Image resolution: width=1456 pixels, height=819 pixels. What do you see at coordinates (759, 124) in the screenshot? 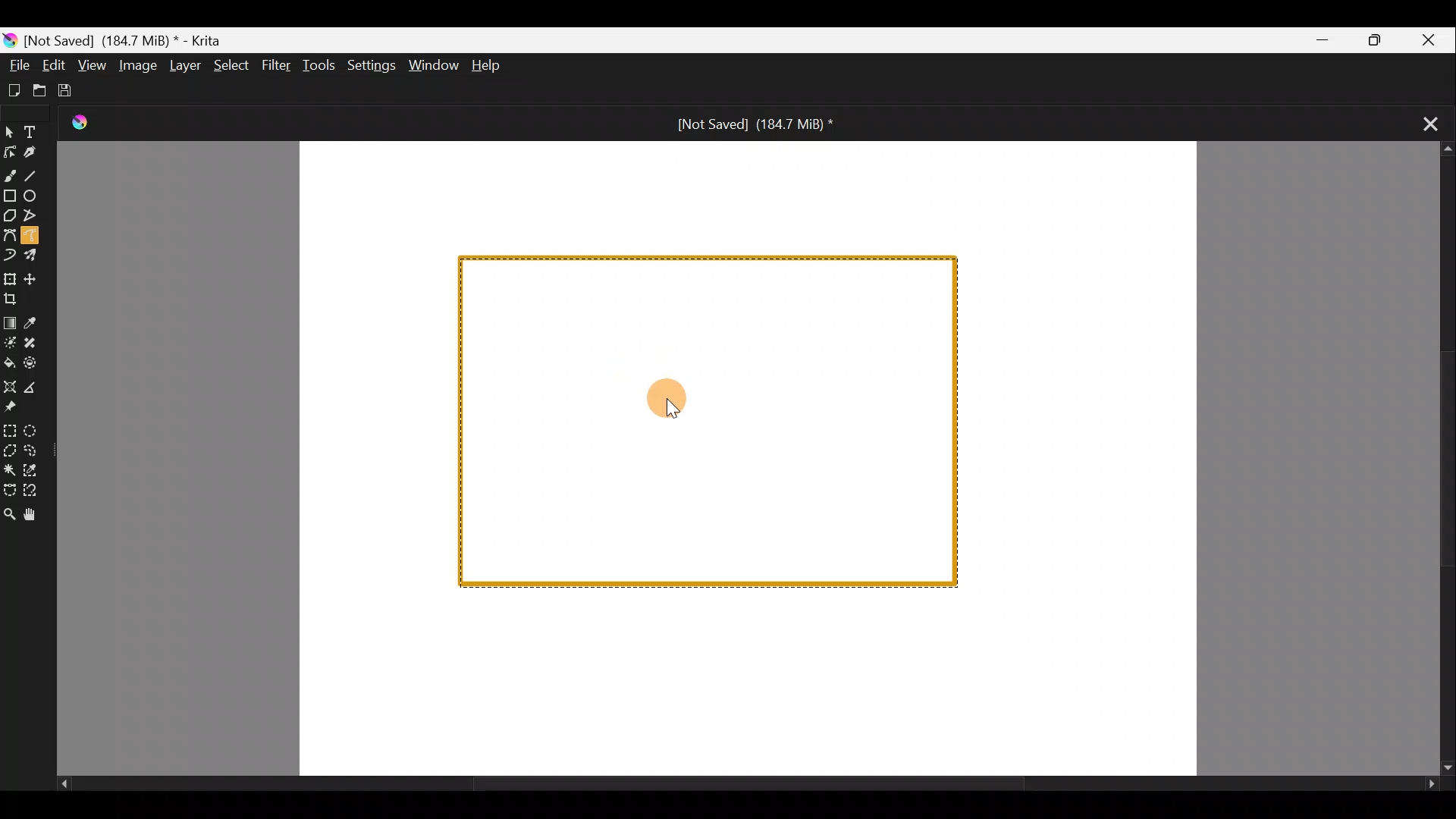
I see `[Not Saved] (184.7 MiB) *` at bounding box center [759, 124].